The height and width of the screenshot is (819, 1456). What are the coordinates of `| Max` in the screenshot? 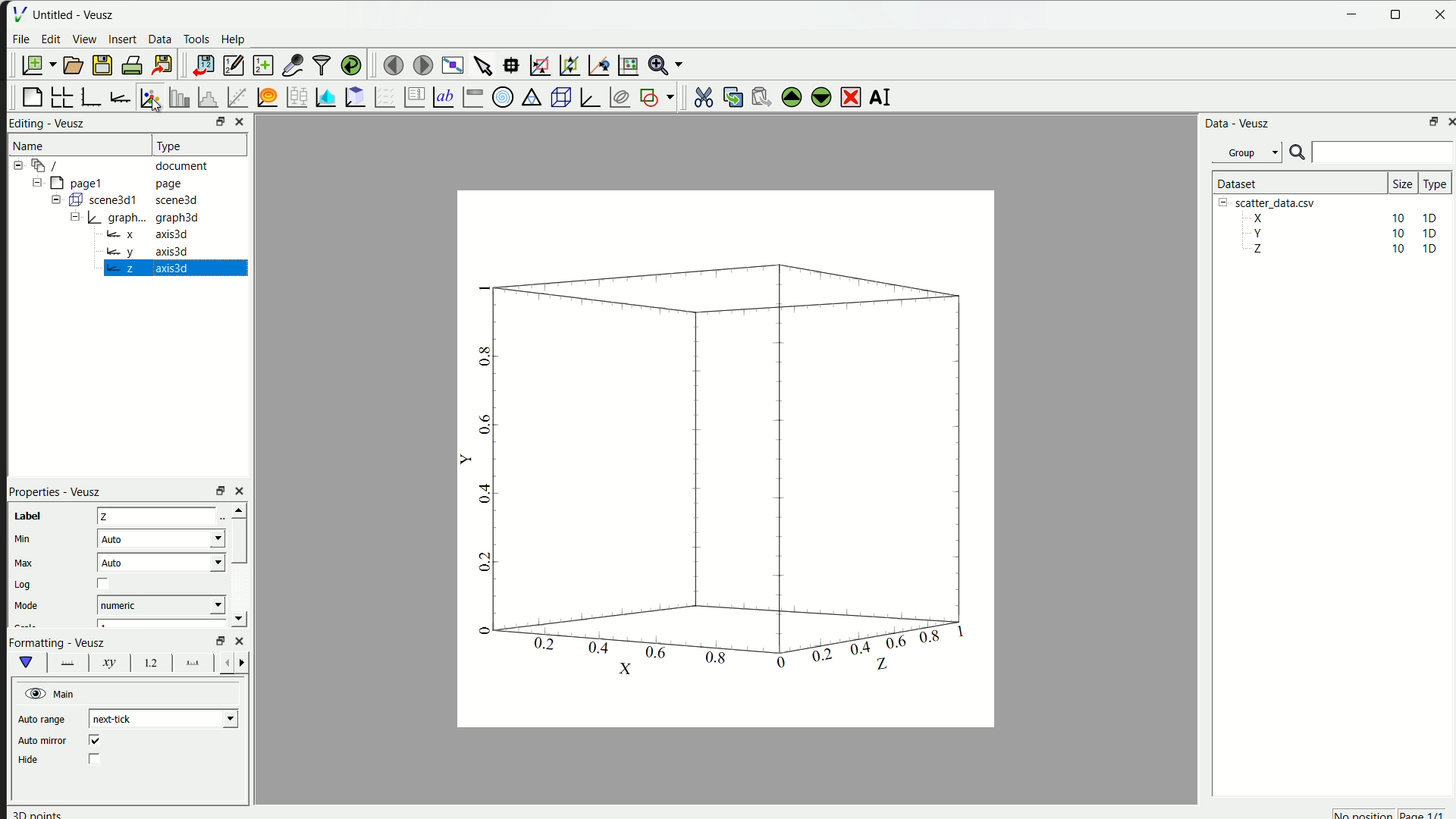 It's located at (26, 563).